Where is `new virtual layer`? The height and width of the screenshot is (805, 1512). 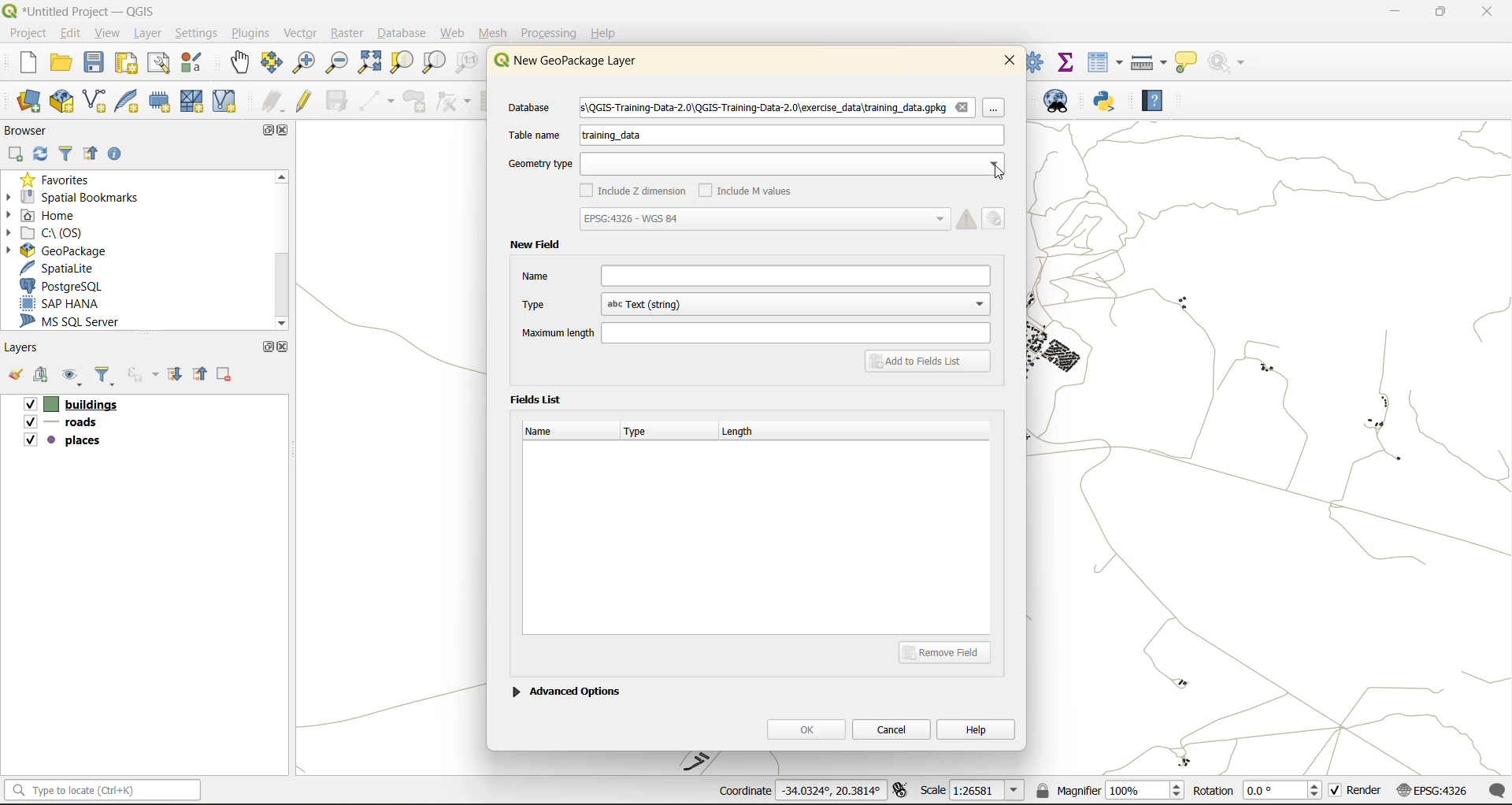
new virtual layer is located at coordinates (224, 102).